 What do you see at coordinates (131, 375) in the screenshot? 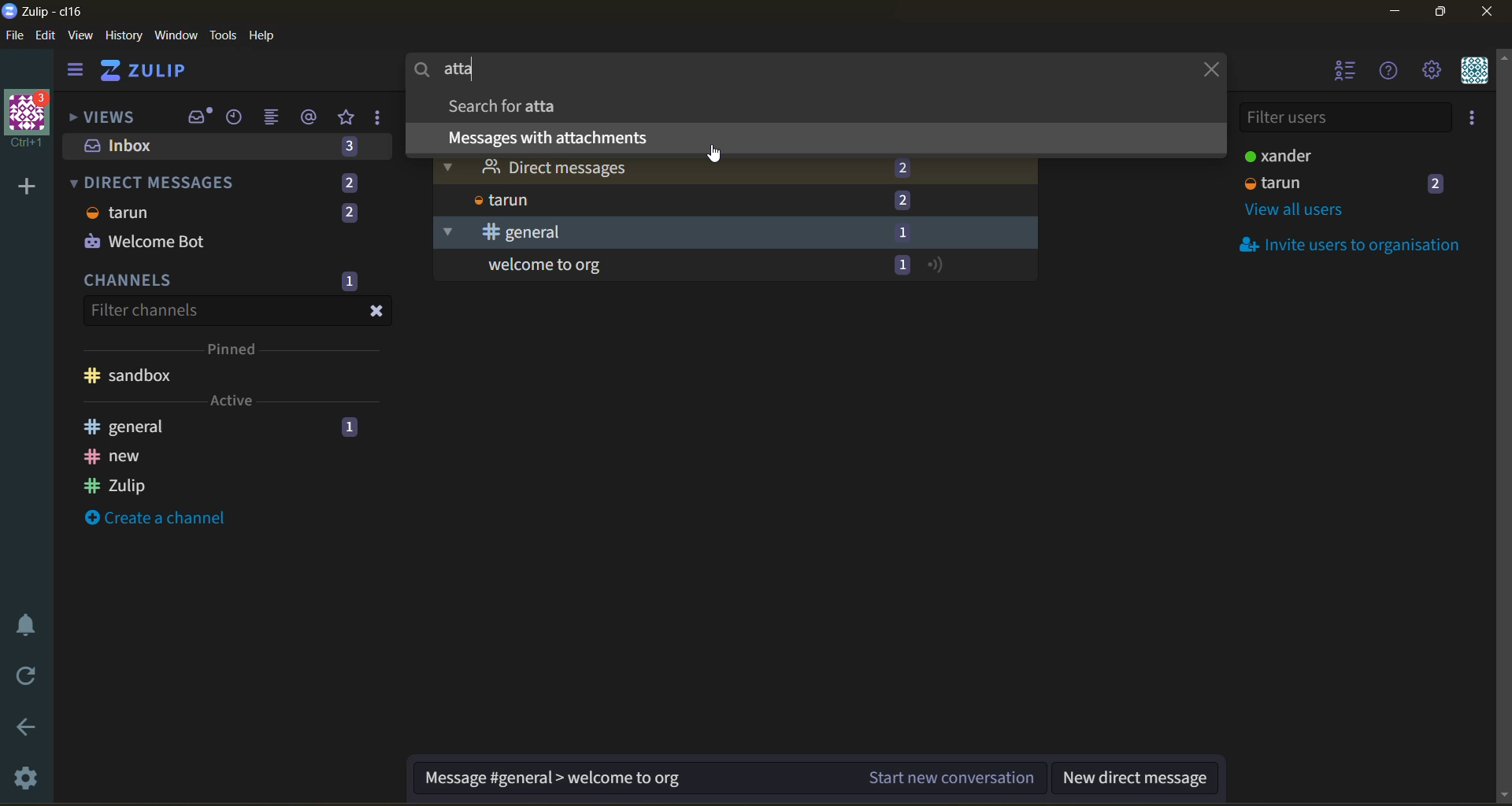
I see `# sandbox` at bounding box center [131, 375].